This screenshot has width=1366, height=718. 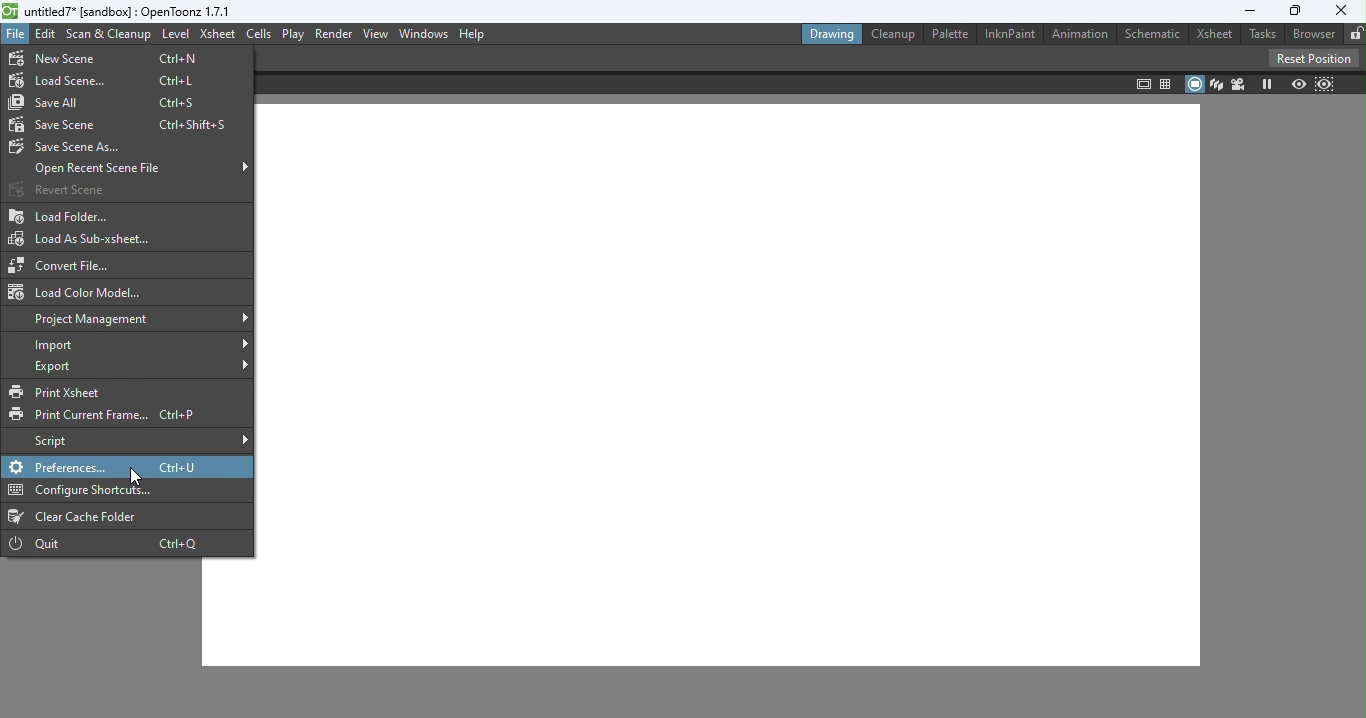 What do you see at coordinates (131, 11) in the screenshot?
I see `File name` at bounding box center [131, 11].